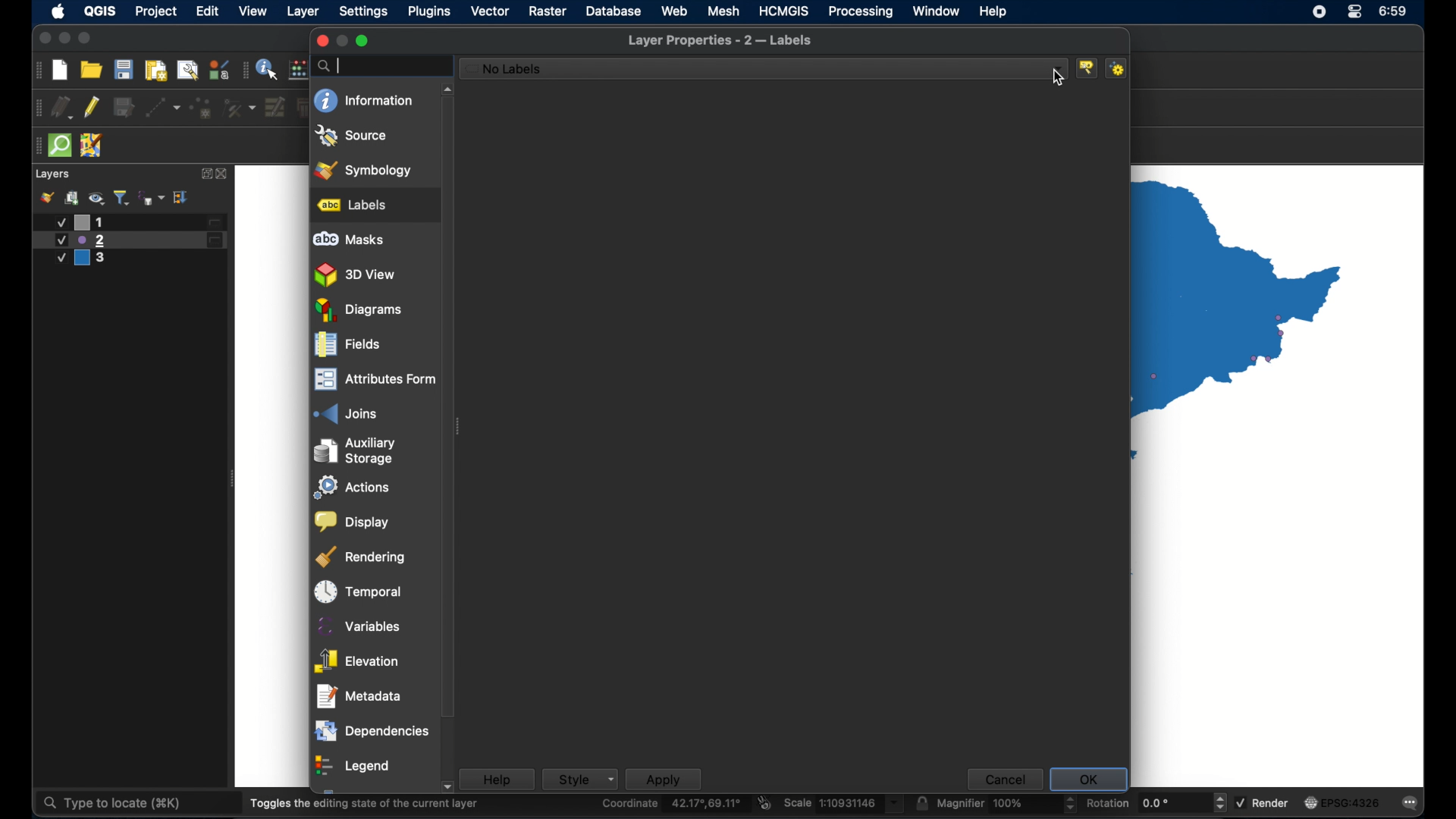 The height and width of the screenshot is (819, 1456). What do you see at coordinates (860, 11) in the screenshot?
I see `processing` at bounding box center [860, 11].